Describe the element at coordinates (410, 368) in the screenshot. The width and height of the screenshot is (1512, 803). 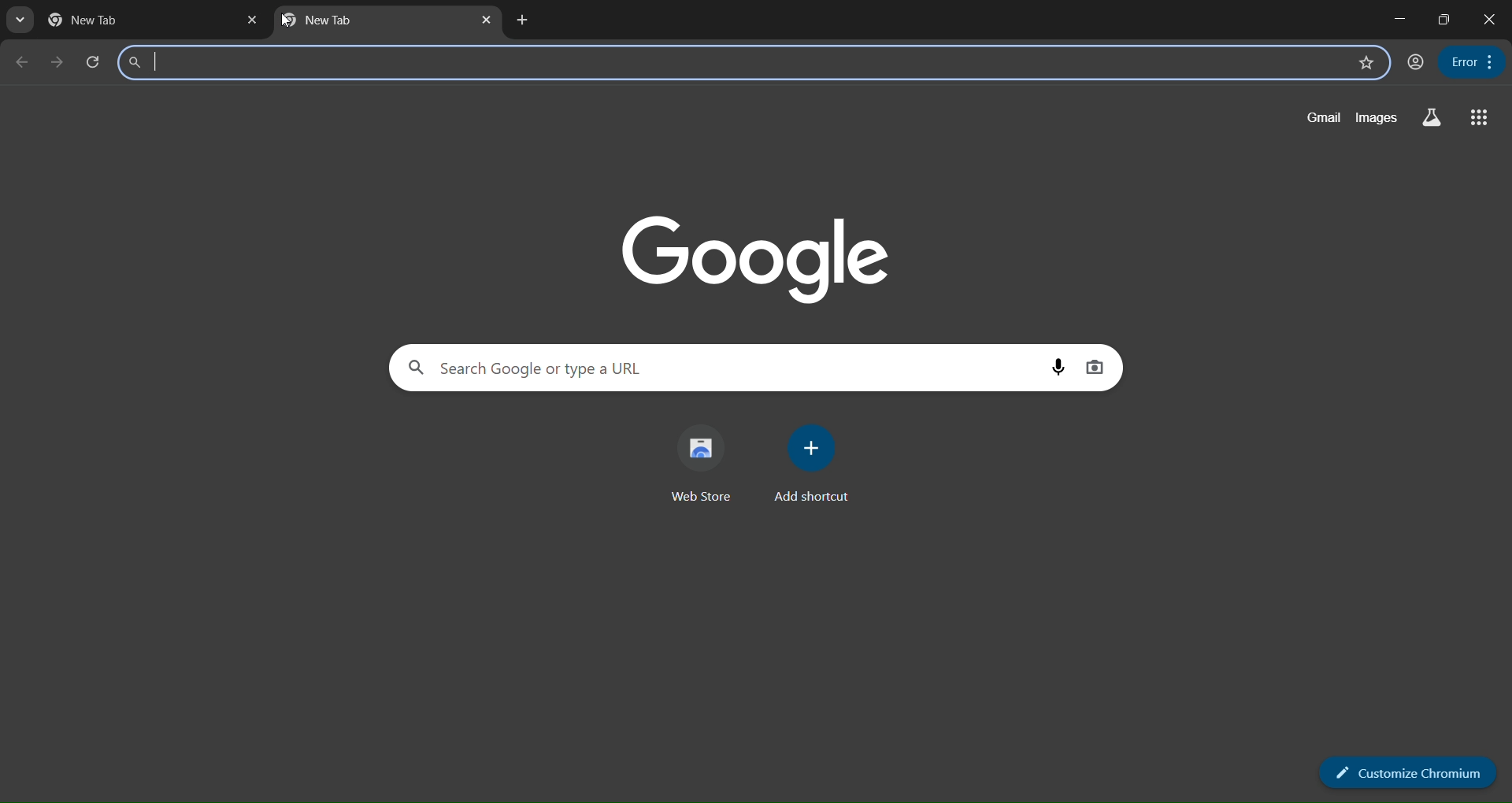
I see `google search` at that location.